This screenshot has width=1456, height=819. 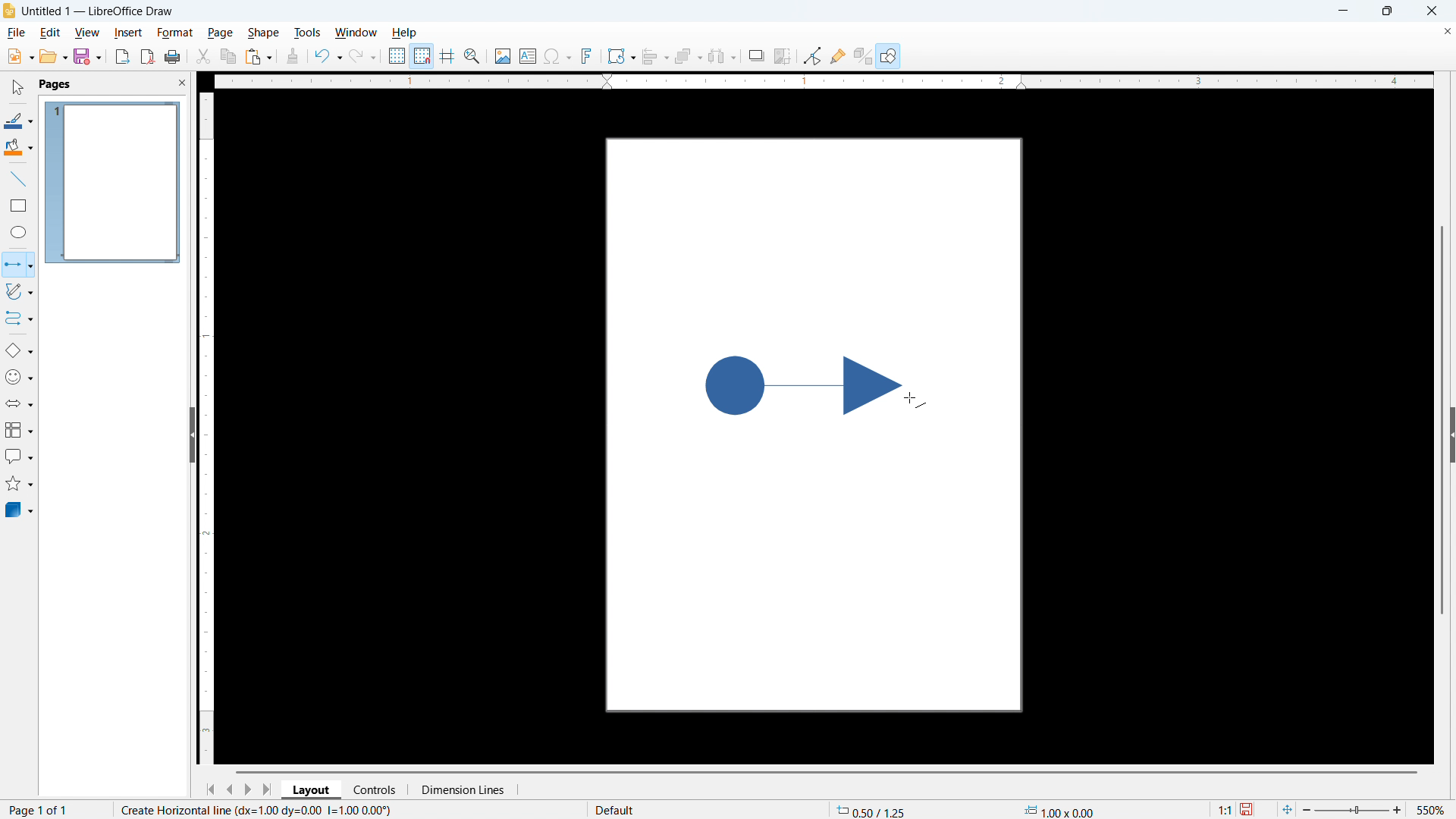 What do you see at coordinates (99, 11) in the screenshot?
I see `Untitled 1 - LibreOffice Draw` at bounding box center [99, 11].